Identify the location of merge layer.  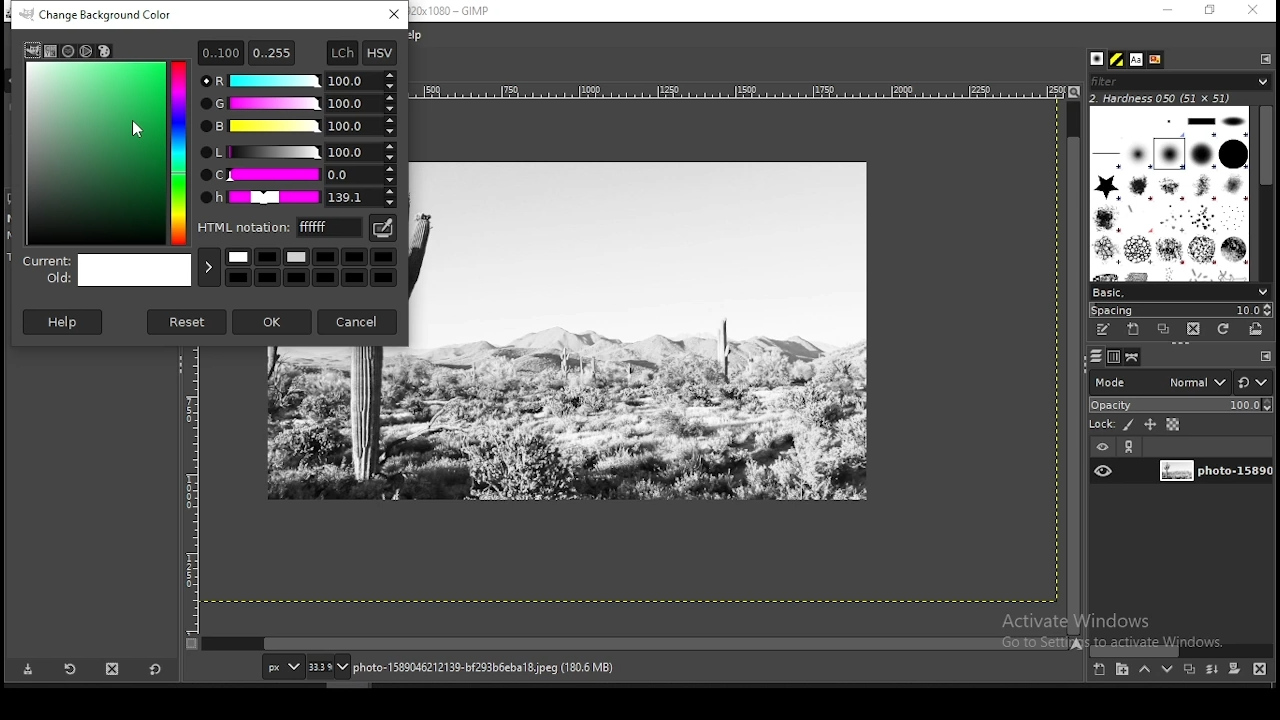
(1214, 669).